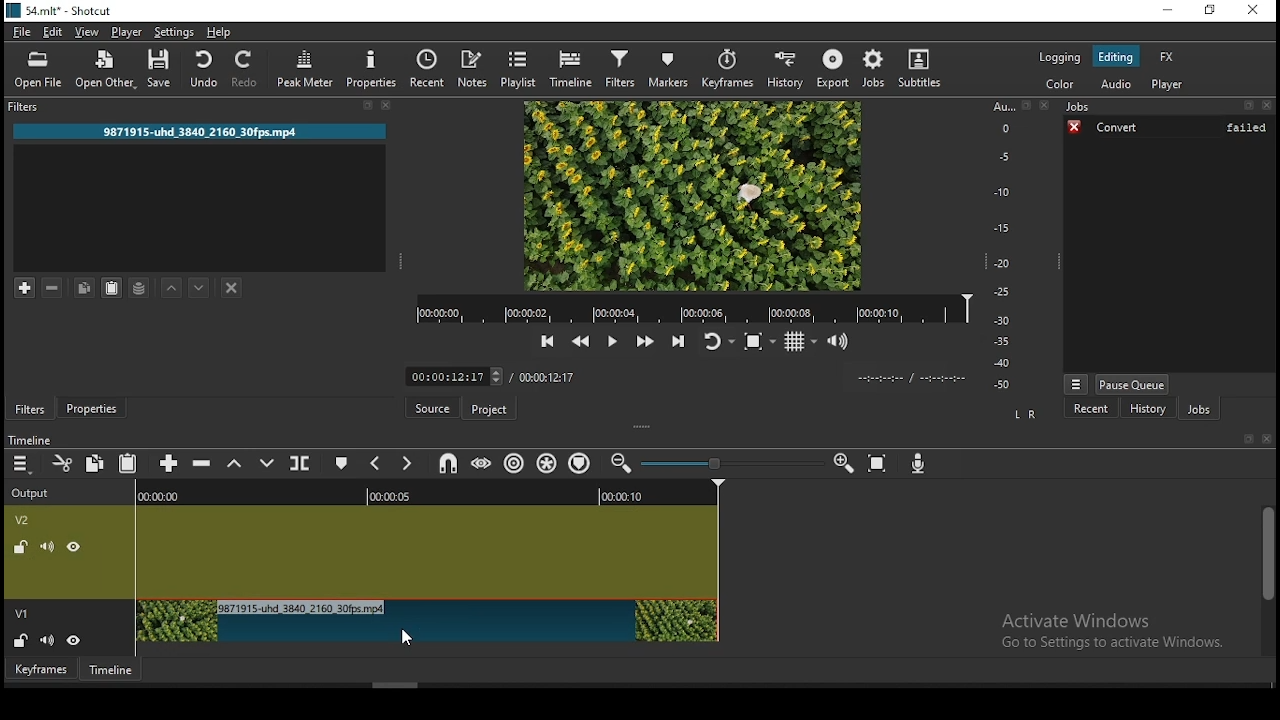 The width and height of the screenshot is (1280, 720). What do you see at coordinates (91, 408) in the screenshot?
I see `properties` at bounding box center [91, 408].